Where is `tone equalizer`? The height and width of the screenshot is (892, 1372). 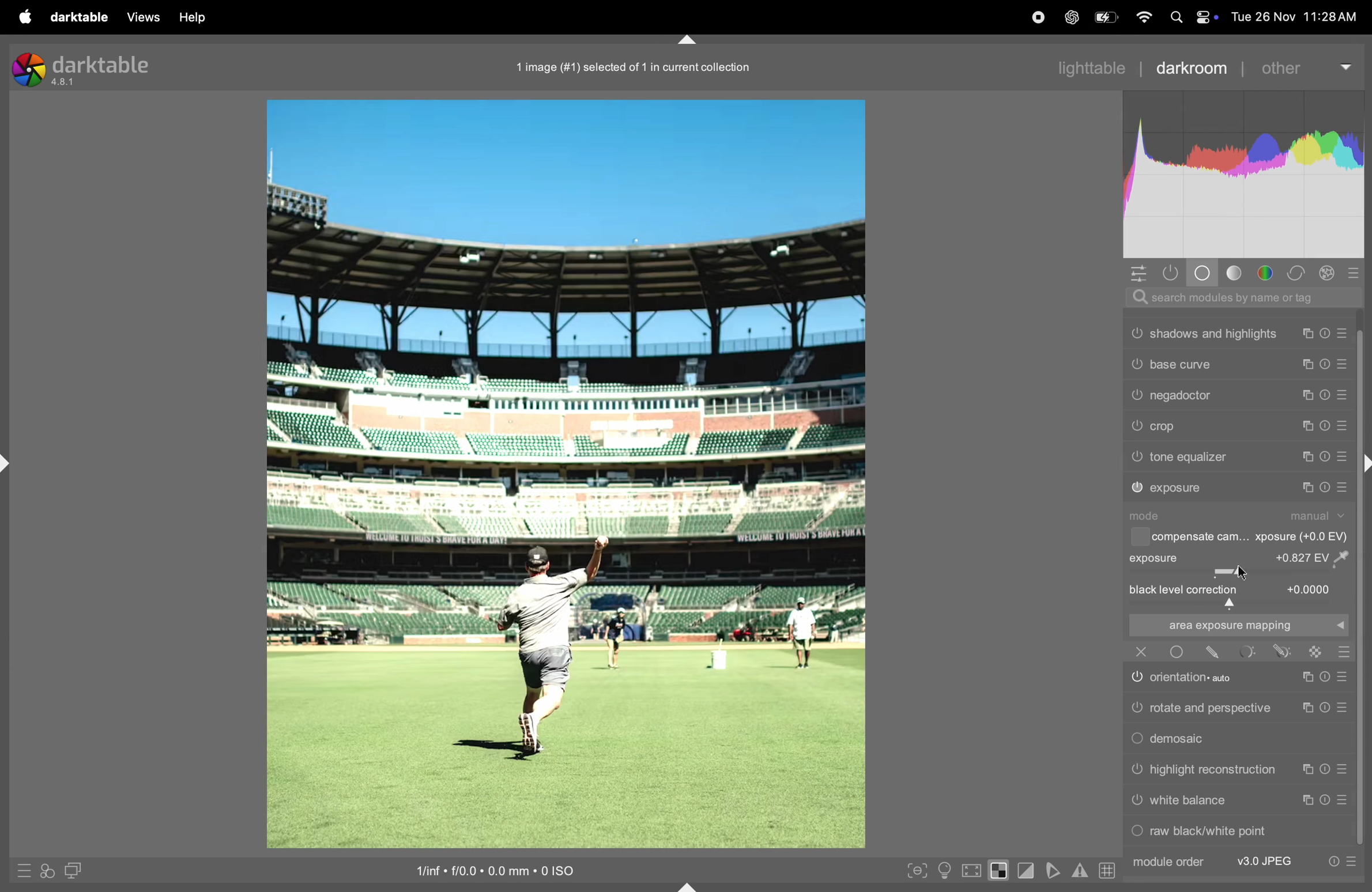 tone equalizer is located at coordinates (1190, 457).